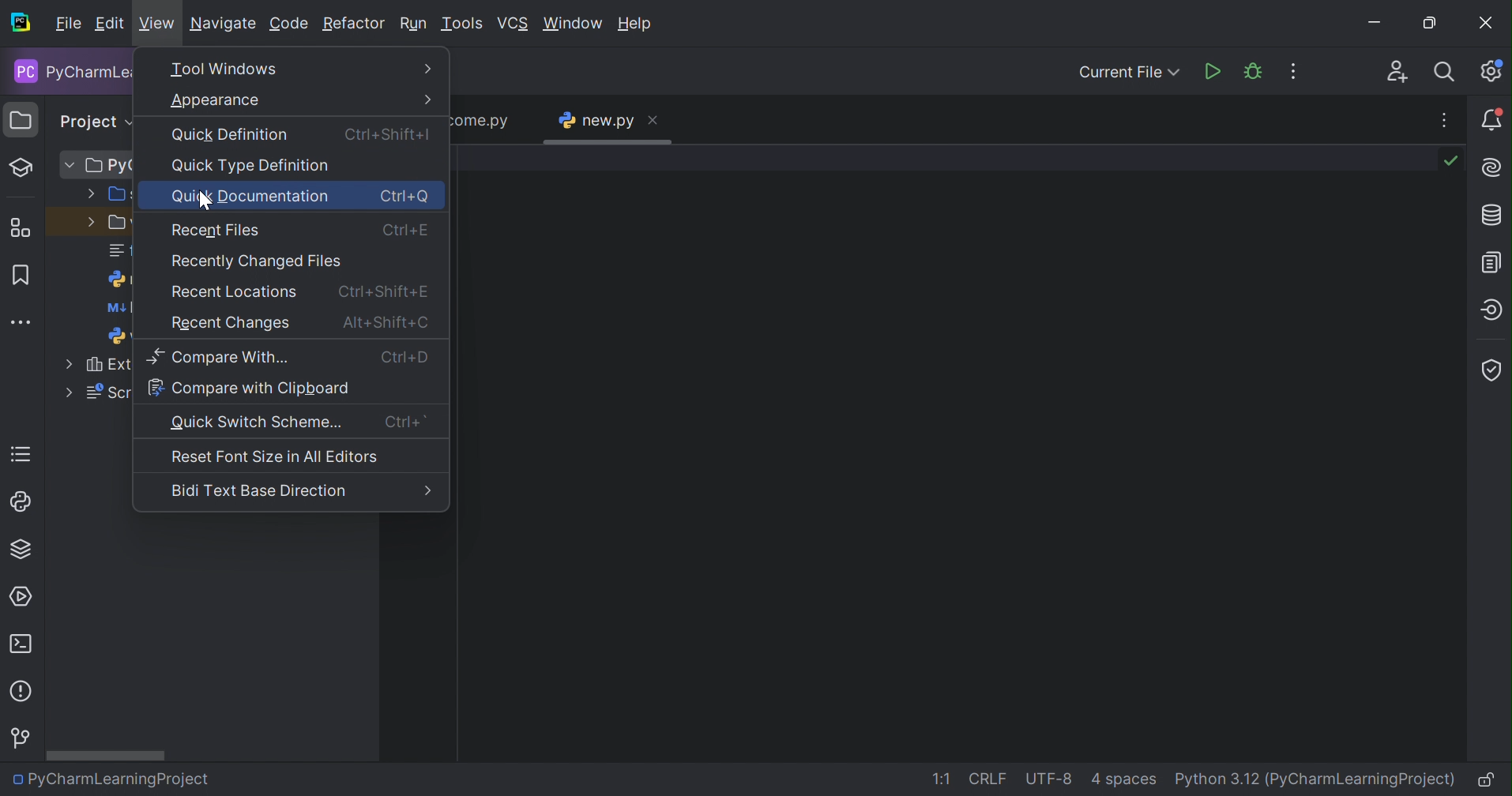  Describe the element at coordinates (405, 231) in the screenshot. I see `Ctrl+E` at that location.